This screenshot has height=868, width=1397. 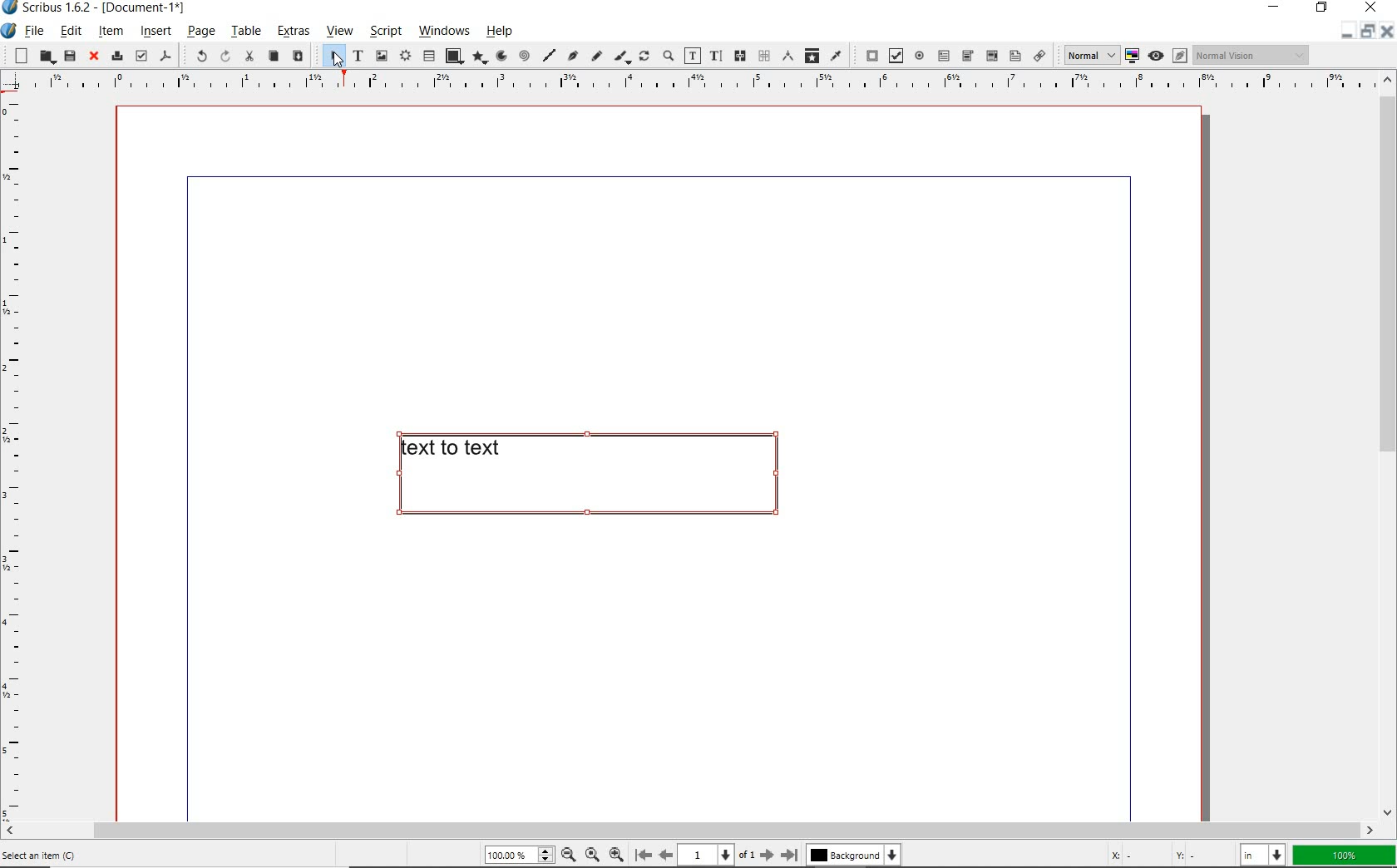 What do you see at coordinates (595, 57) in the screenshot?
I see `freehand line` at bounding box center [595, 57].